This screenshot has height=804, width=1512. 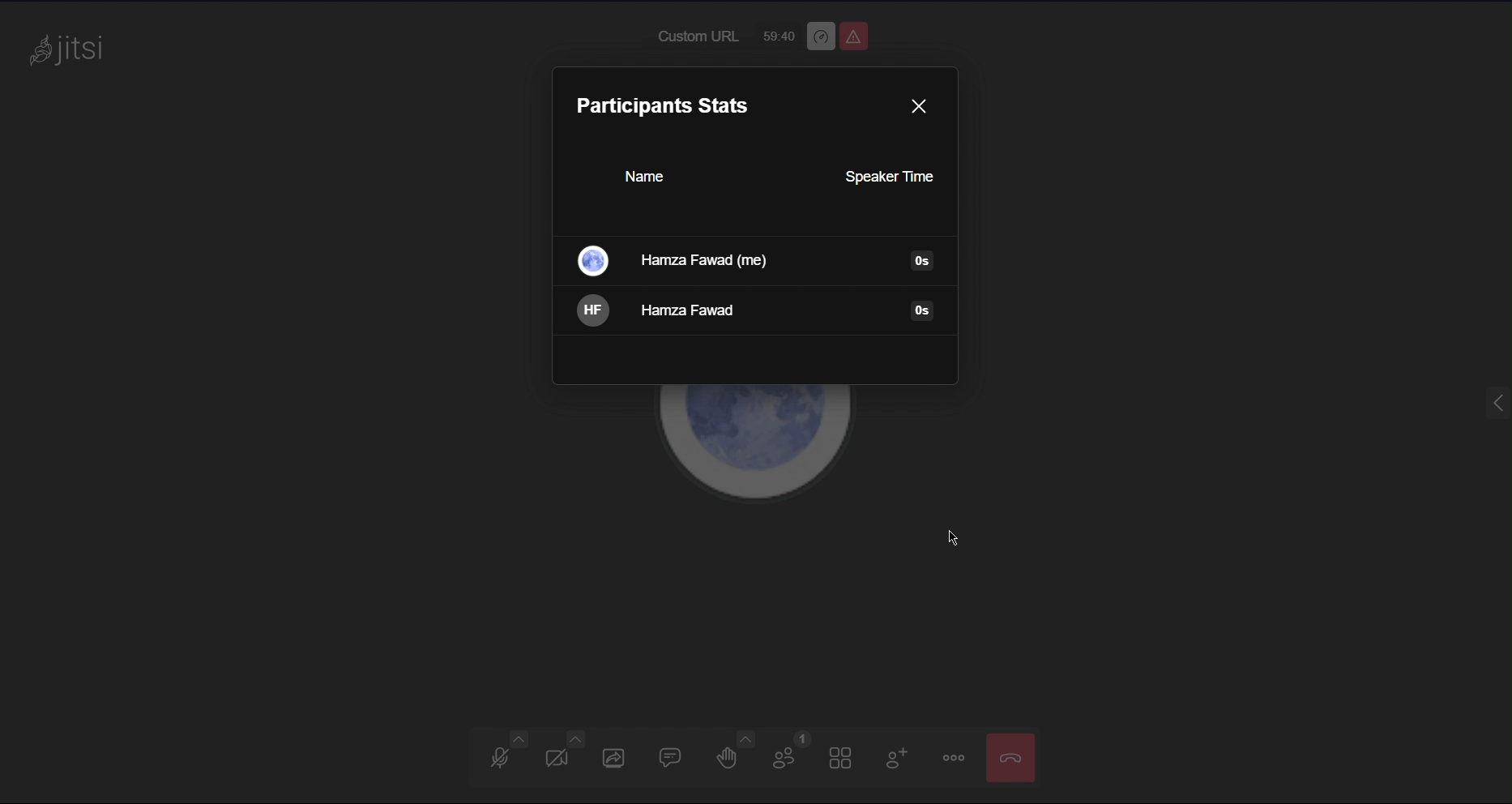 I want to click on cursor, so click(x=950, y=537).